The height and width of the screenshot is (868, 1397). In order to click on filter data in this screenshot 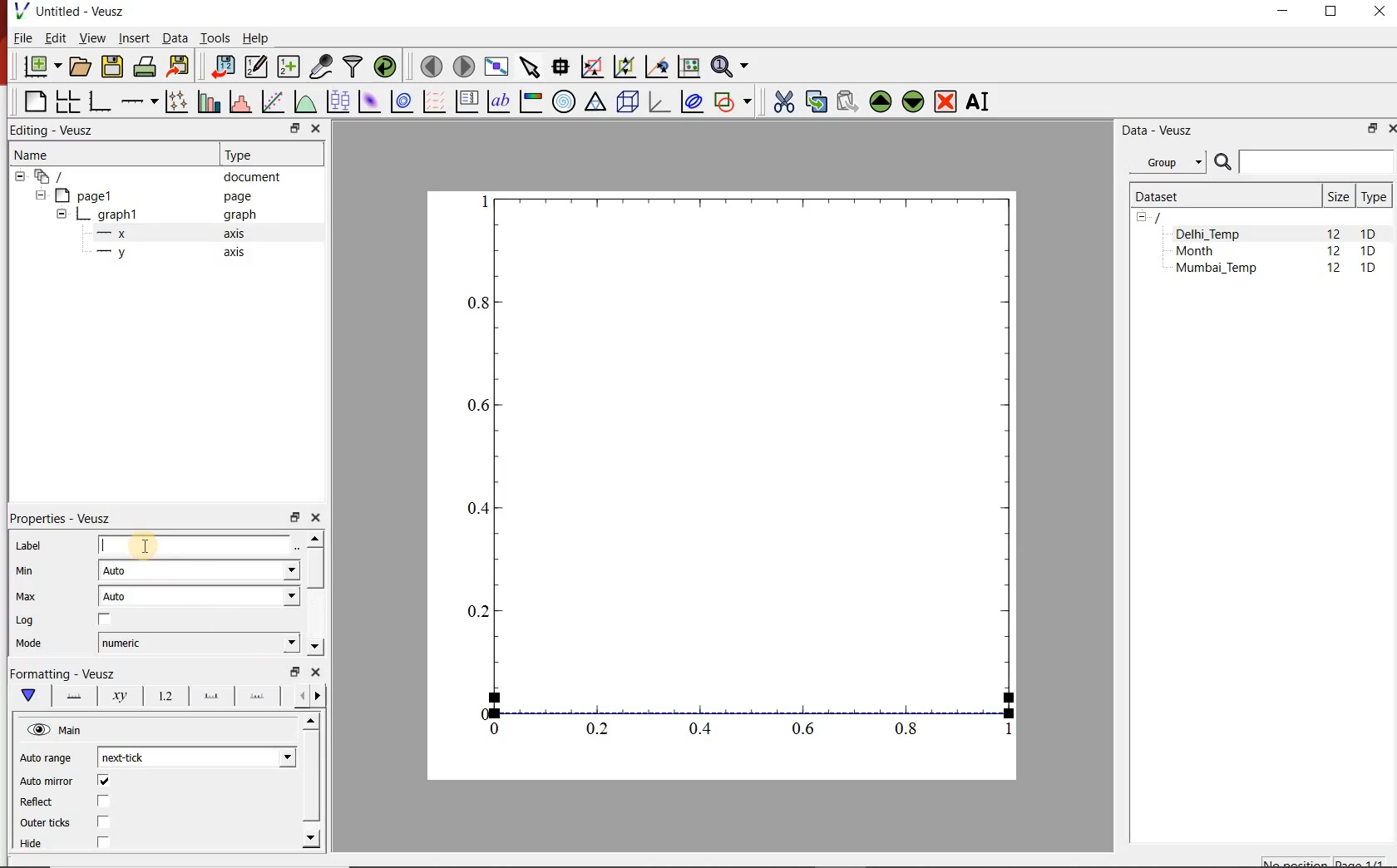, I will do `click(353, 67)`.